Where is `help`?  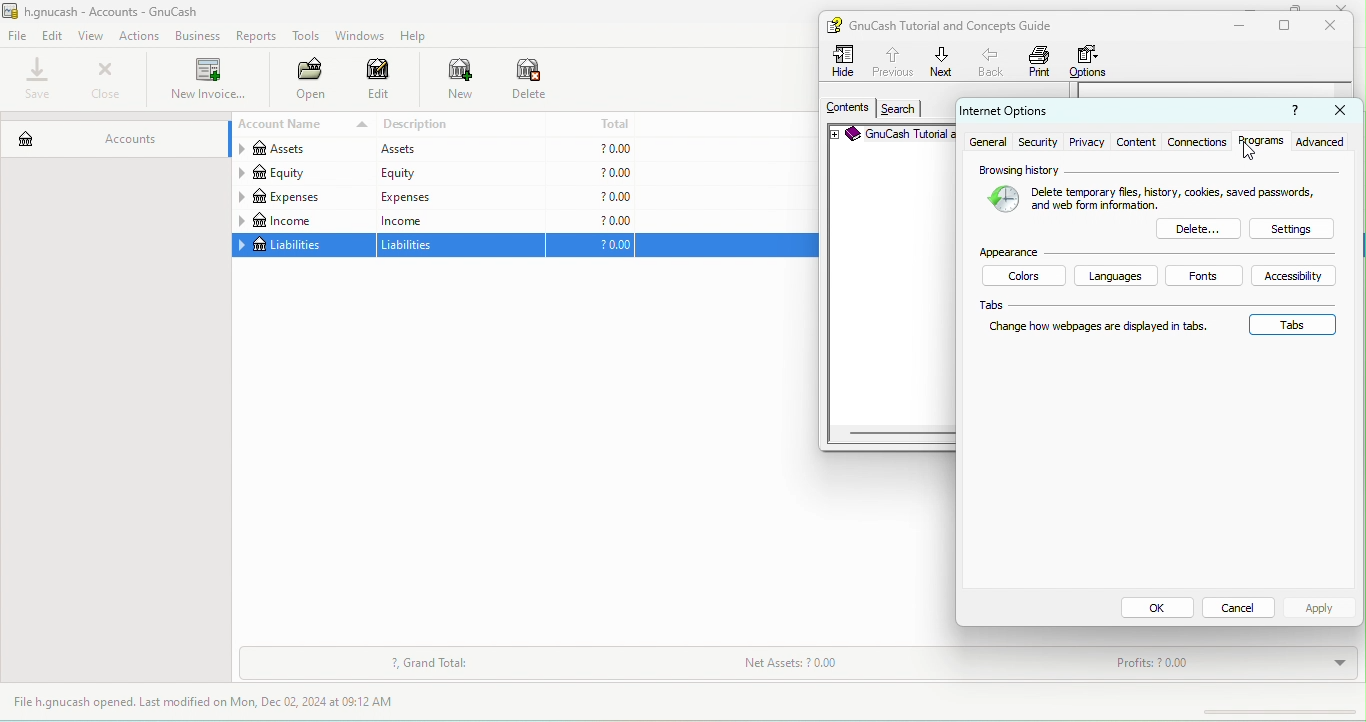
help is located at coordinates (418, 36).